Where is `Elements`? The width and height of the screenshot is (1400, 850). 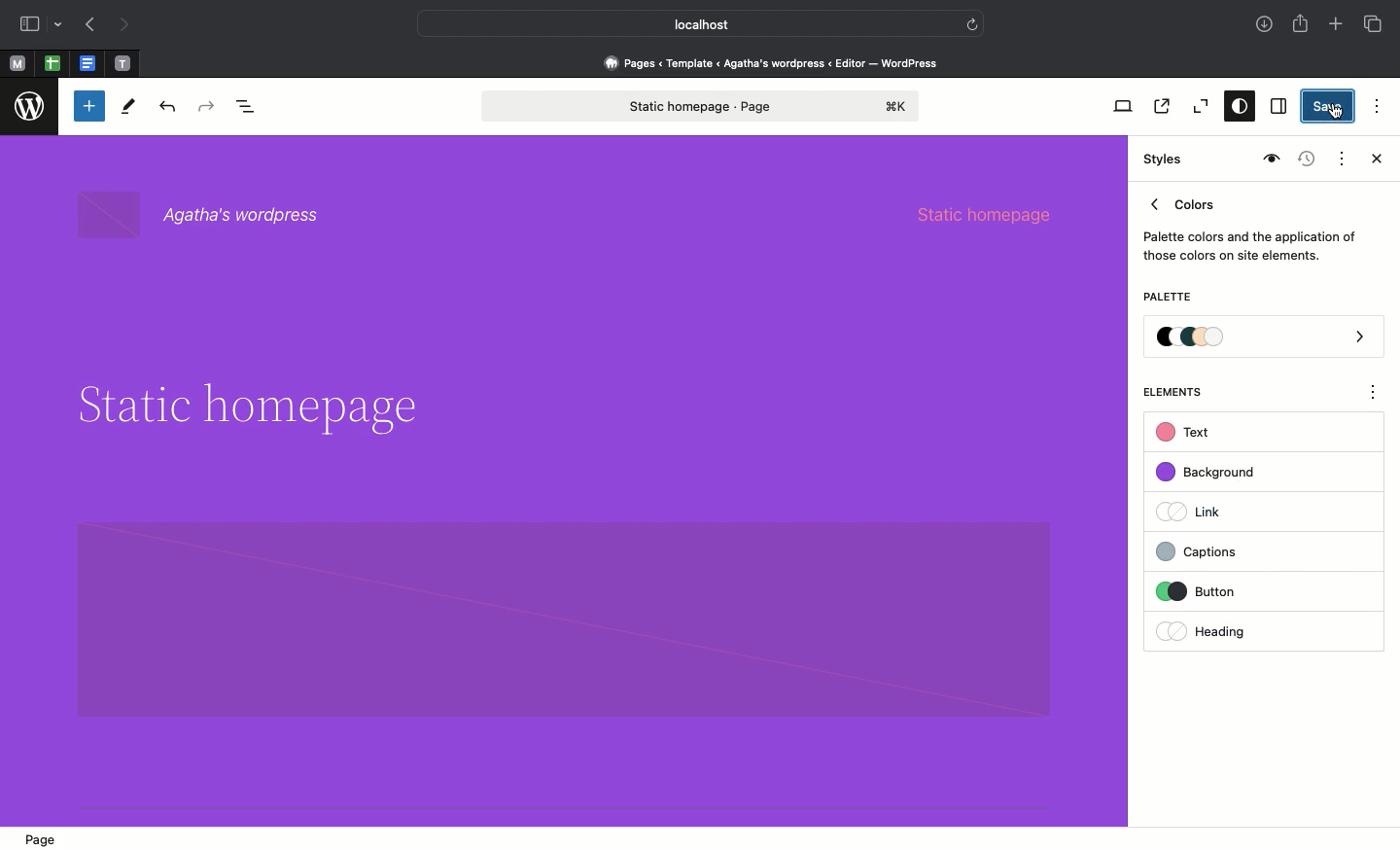
Elements is located at coordinates (1183, 392).